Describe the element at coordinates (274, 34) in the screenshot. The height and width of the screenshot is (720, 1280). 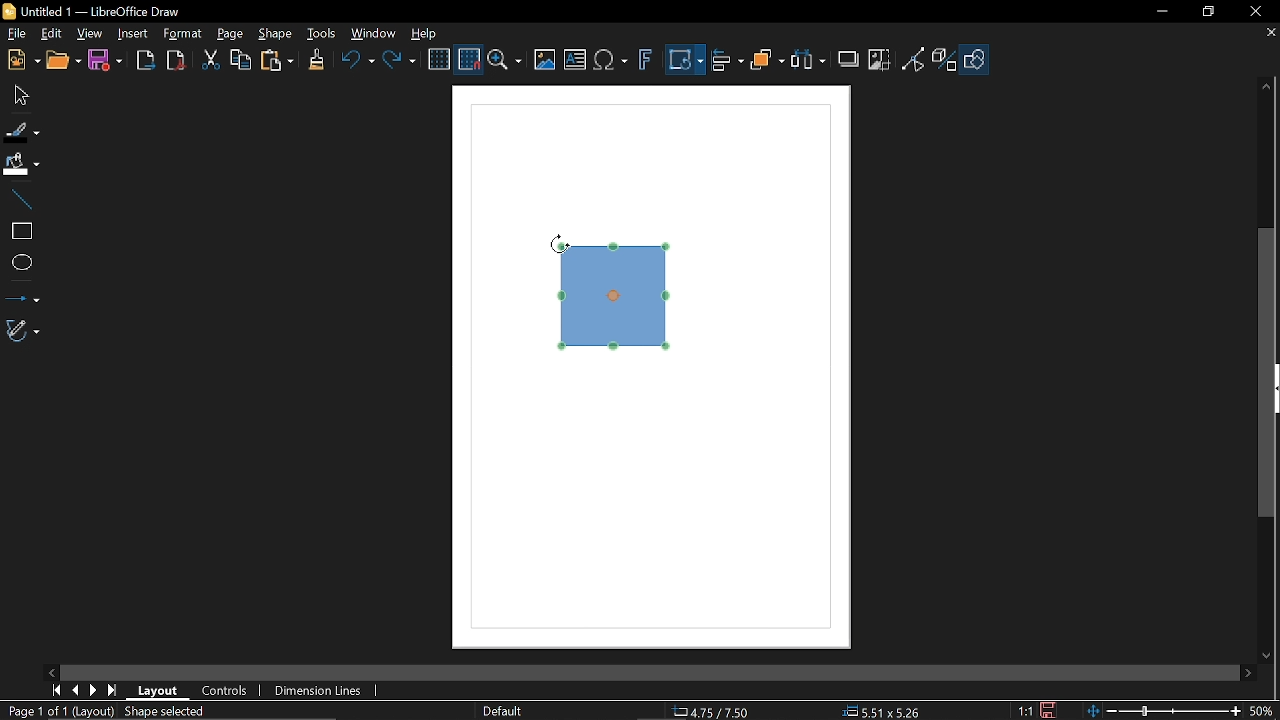
I see `Shape` at that location.